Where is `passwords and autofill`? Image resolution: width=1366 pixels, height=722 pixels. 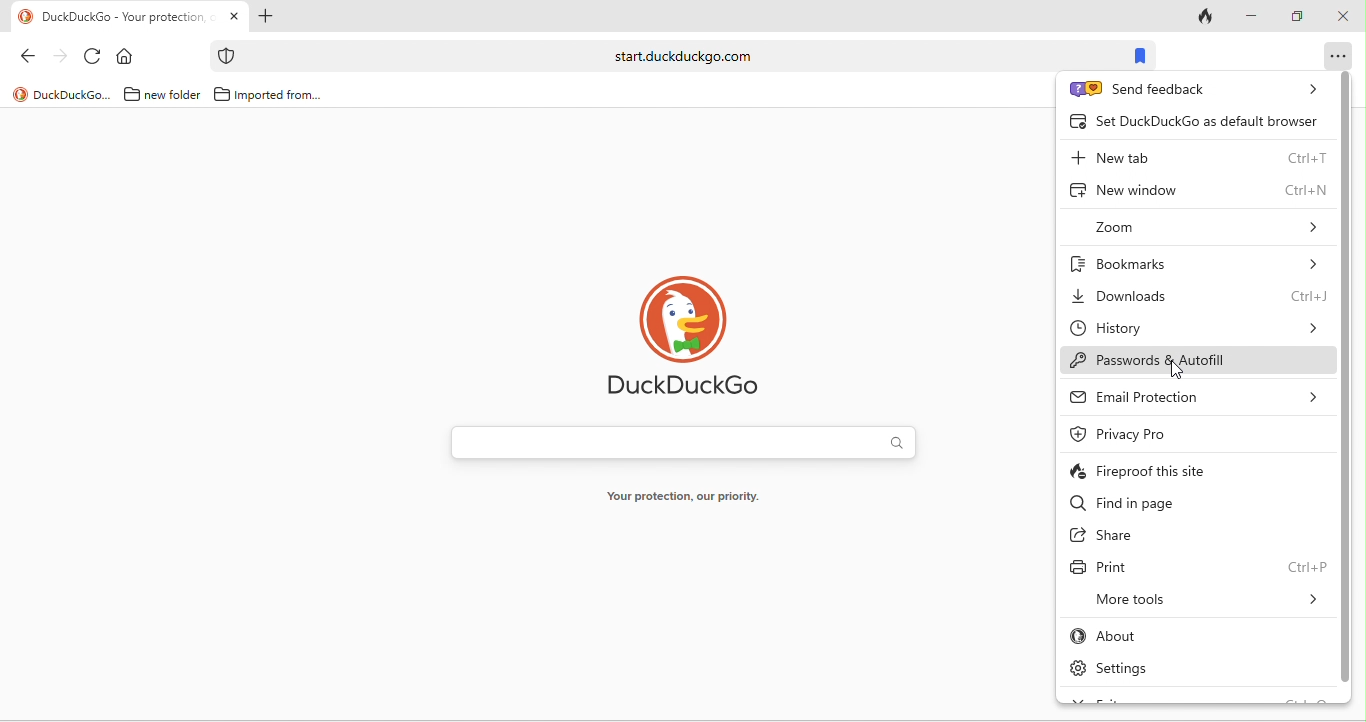 passwords and autofill is located at coordinates (1185, 363).